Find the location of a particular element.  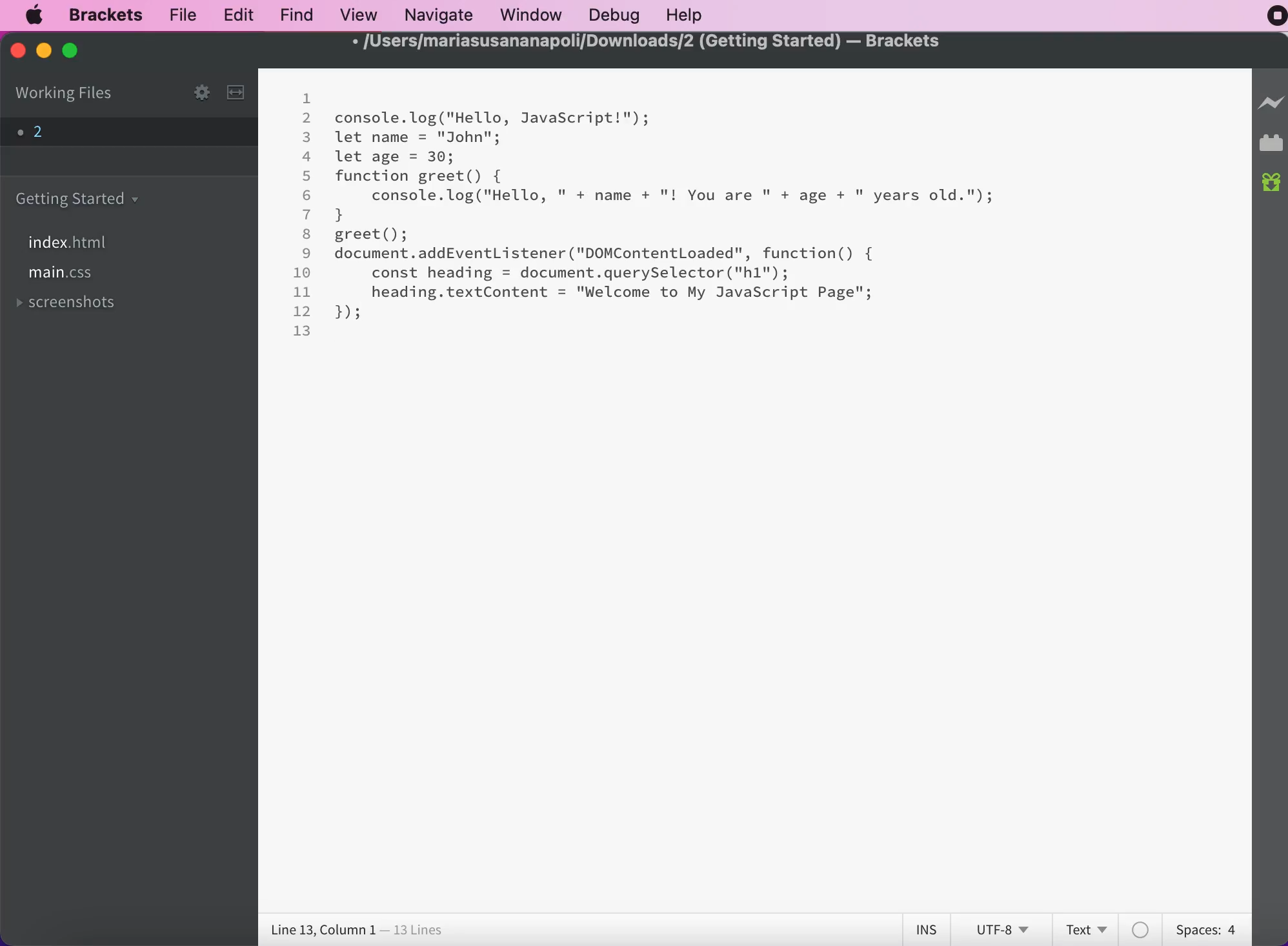

3 is located at coordinates (307, 138).